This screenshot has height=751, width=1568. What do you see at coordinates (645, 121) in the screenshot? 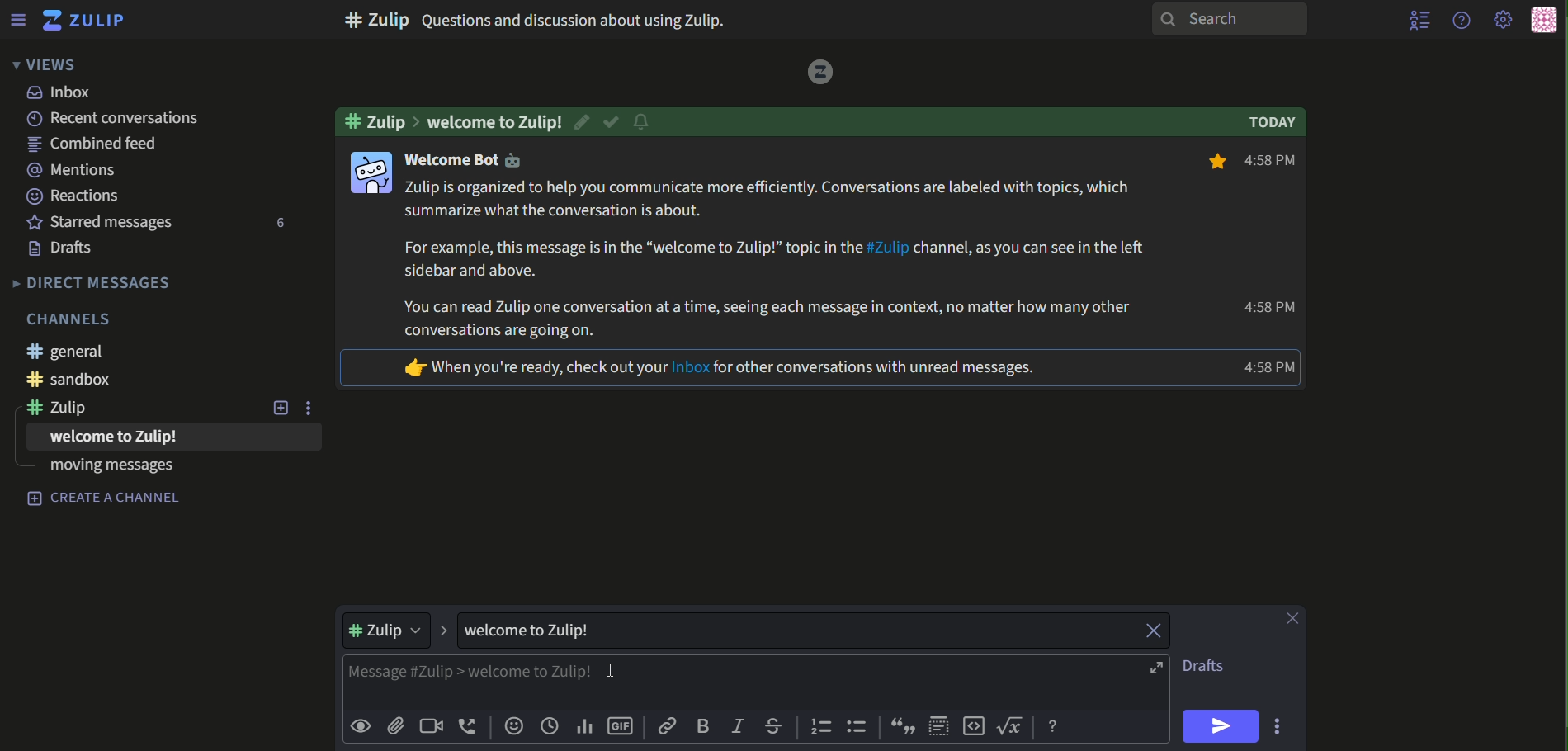
I see `edit` at bounding box center [645, 121].